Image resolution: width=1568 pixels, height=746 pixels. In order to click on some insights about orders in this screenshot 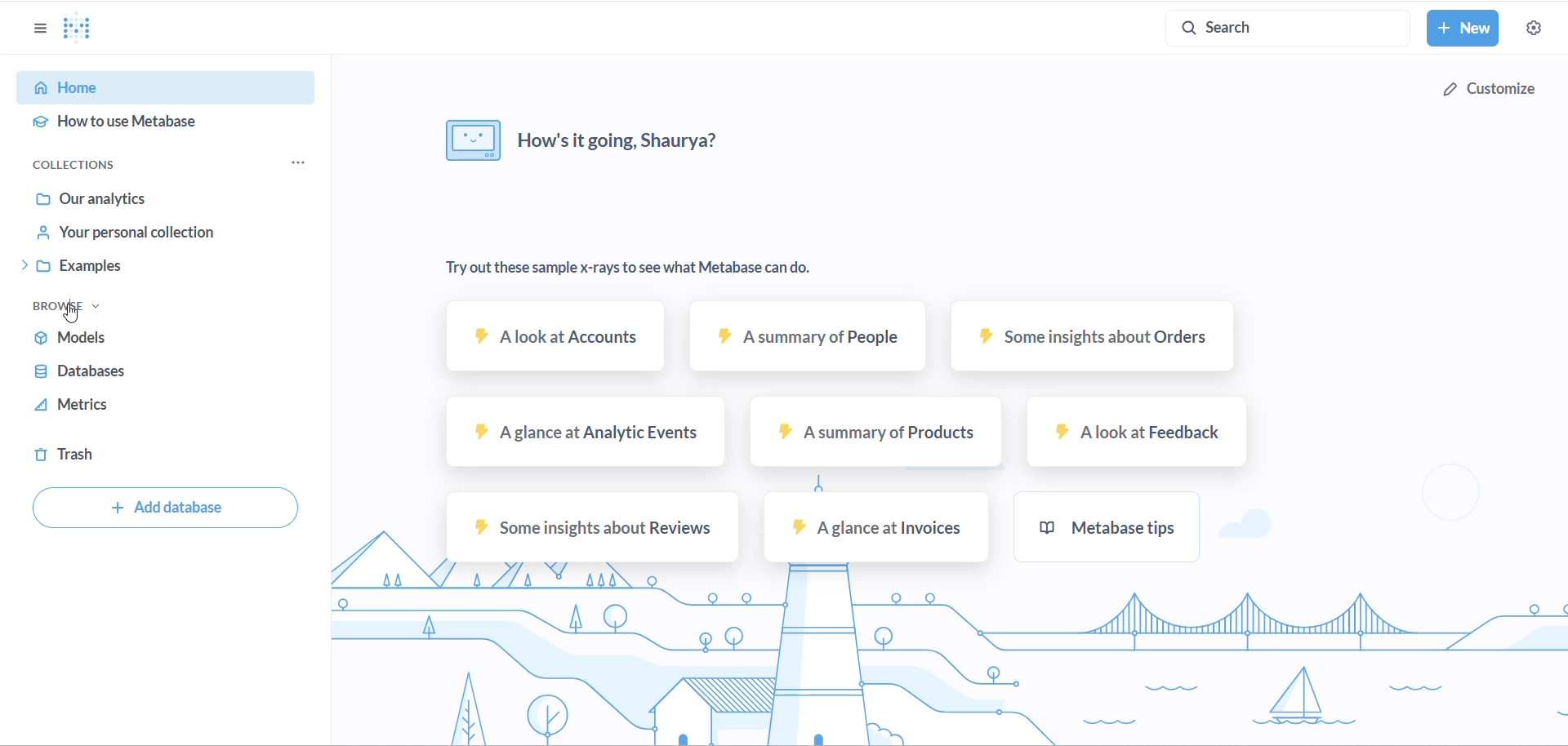, I will do `click(1094, 343)`.